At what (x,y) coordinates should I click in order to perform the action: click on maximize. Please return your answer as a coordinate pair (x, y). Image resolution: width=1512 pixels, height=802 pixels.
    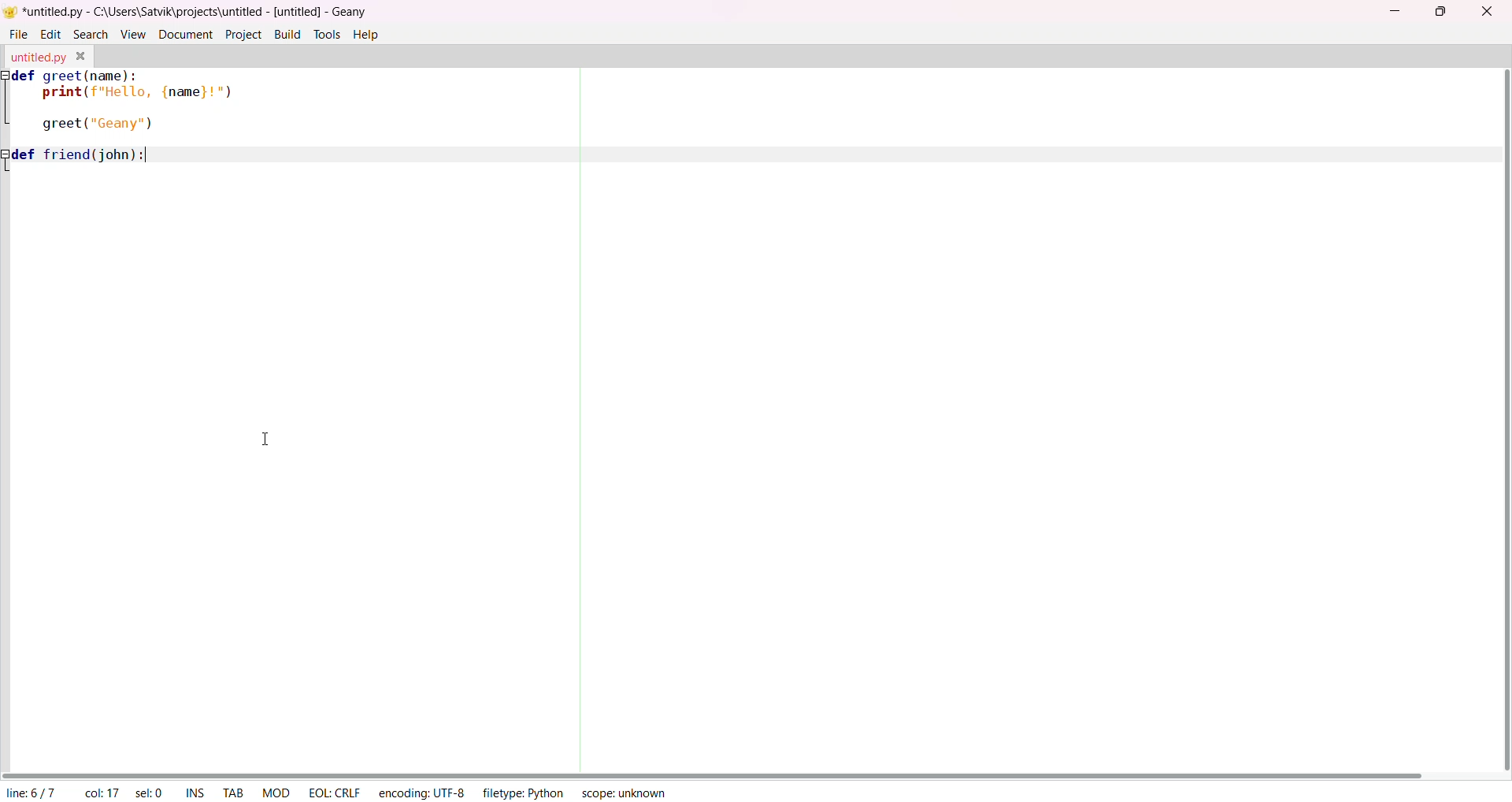
    Looking at the image, I should click on (1441, 11).